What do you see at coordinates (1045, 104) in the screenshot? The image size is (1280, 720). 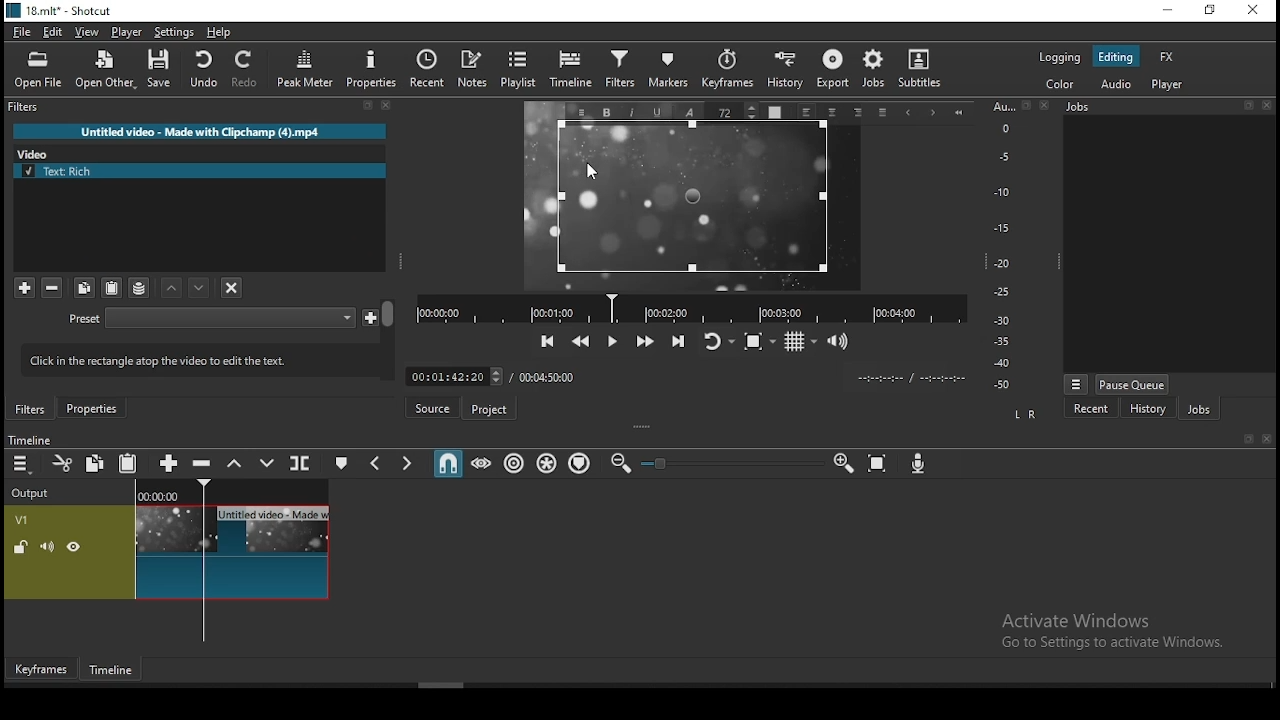 I see `Close` at bounding box center [1045, 104].